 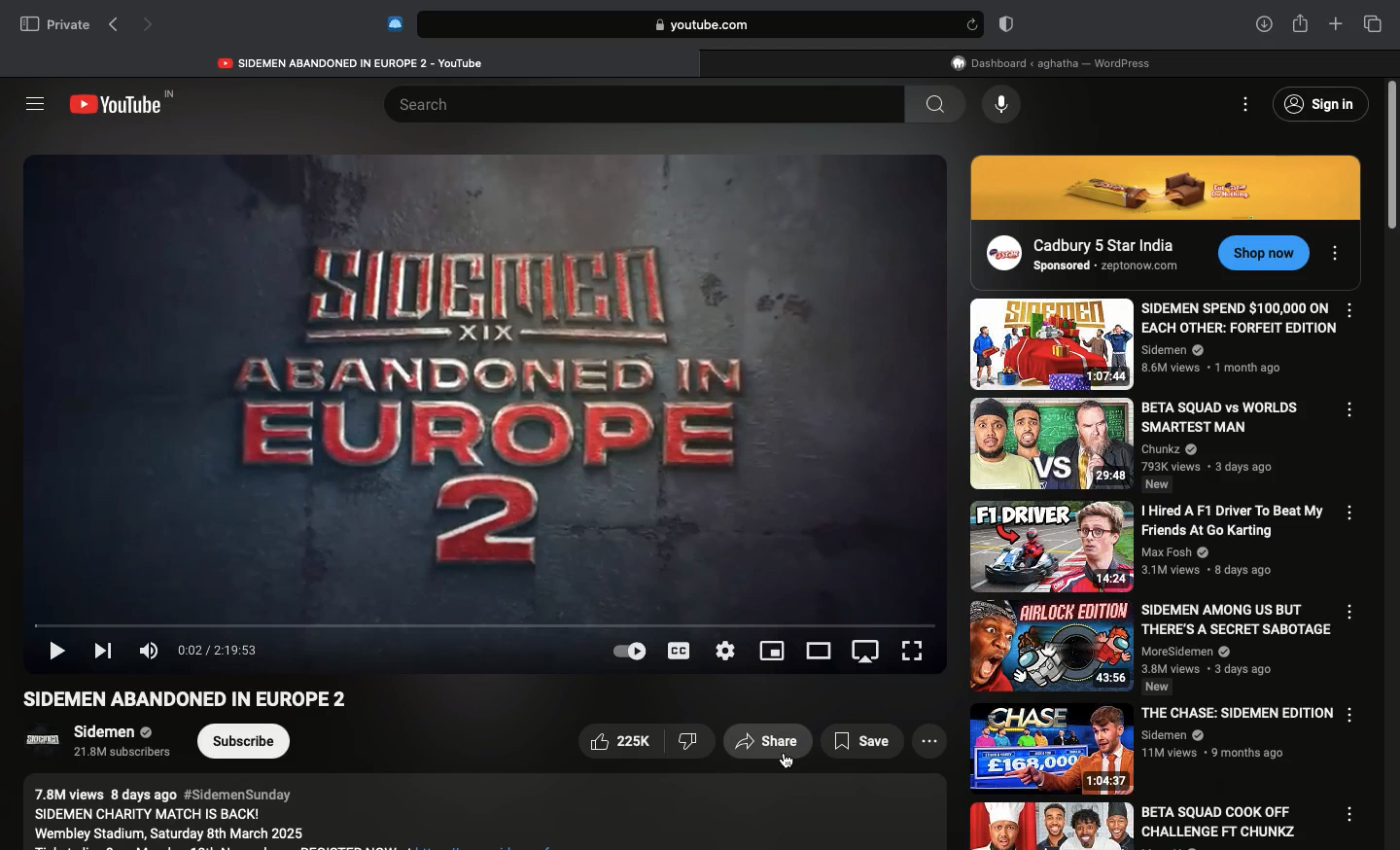 I want to click on Previous page, so click(x=113, y=25).